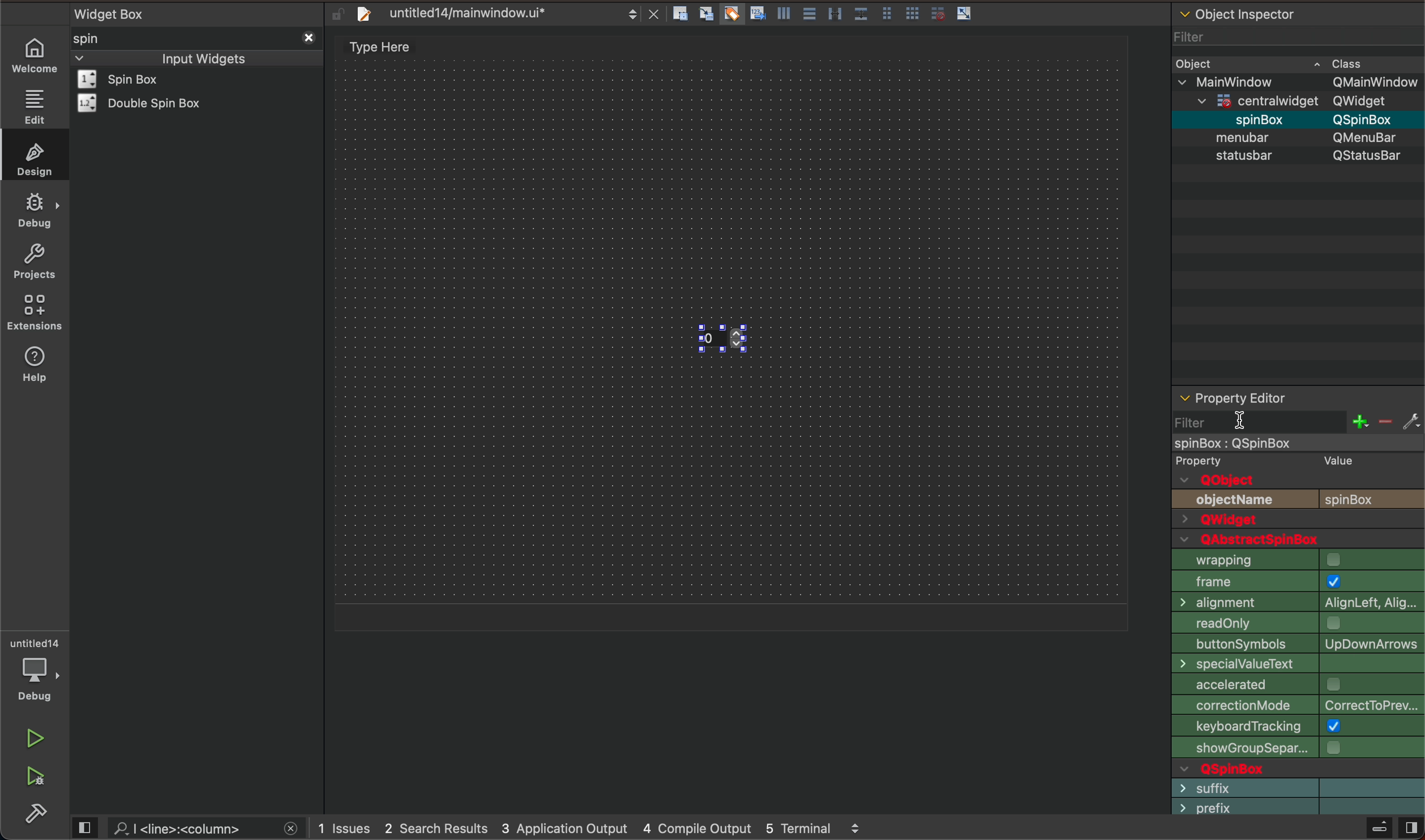  I want to click on text, so click(1249, 157).